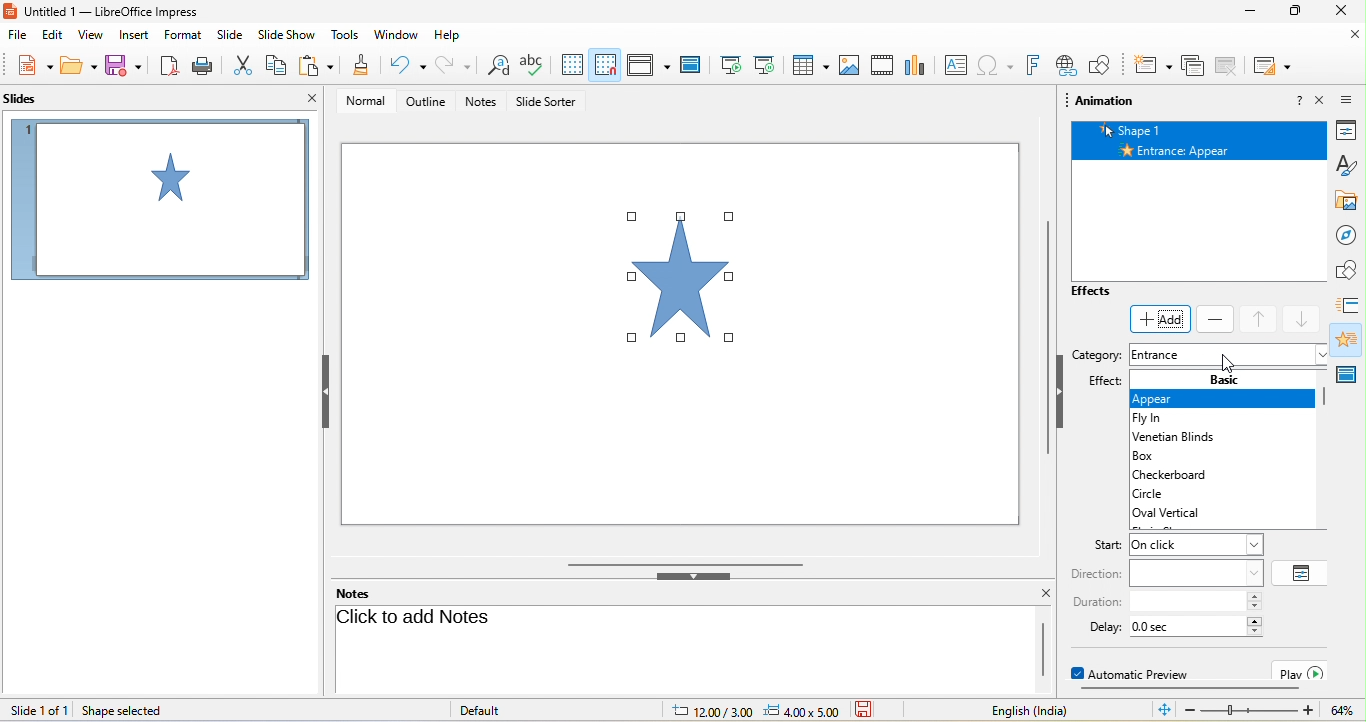 The width and height of the screenshot is (1366, 722). What do you see at coordinates (102, 11) in the screenshot?
I see `current window title: Untitled 1 — LibreOffice Impress` at bounding box center [102, 11].